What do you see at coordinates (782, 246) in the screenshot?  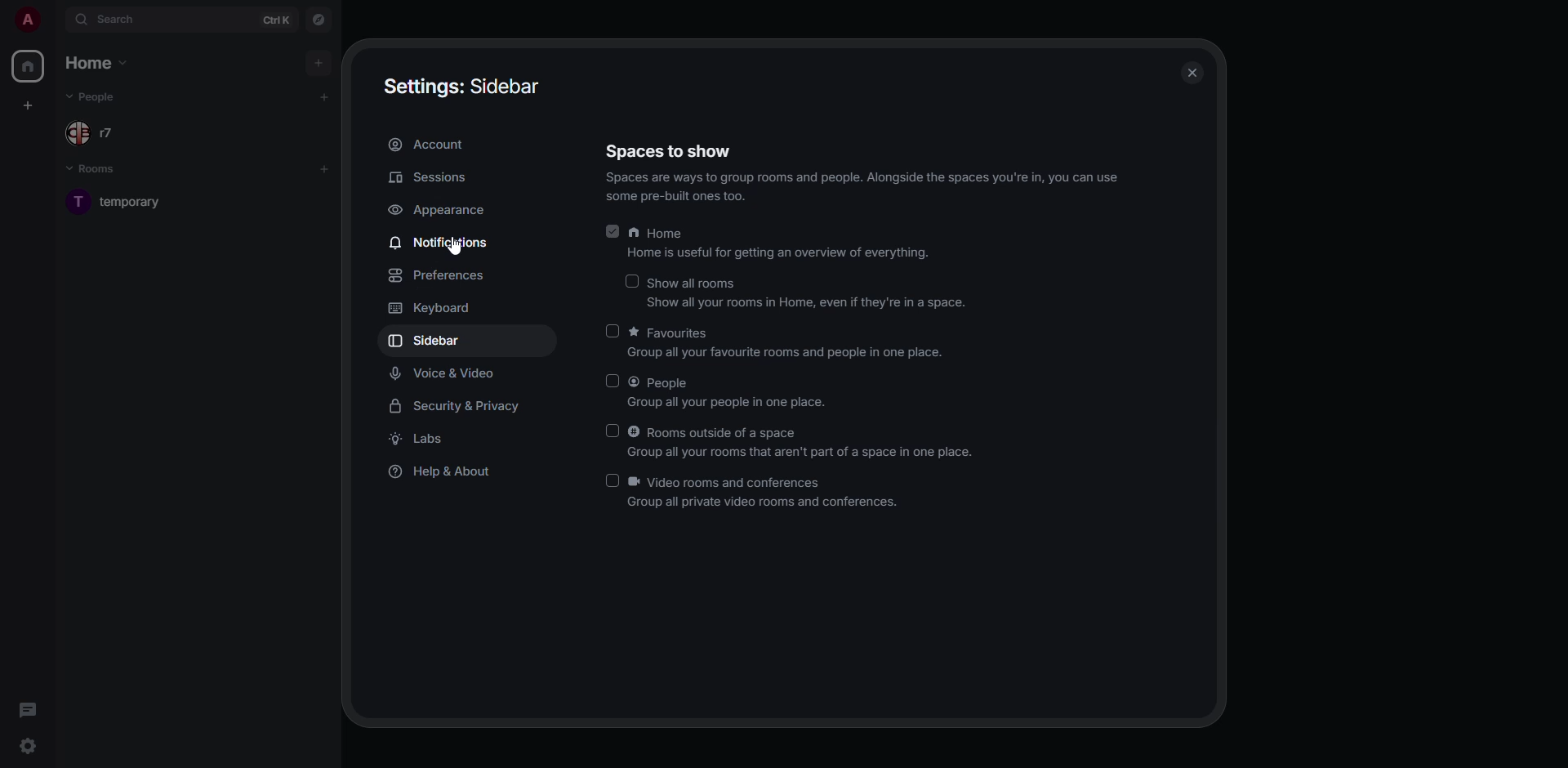 I see `home` at bounding box center [782, 246].